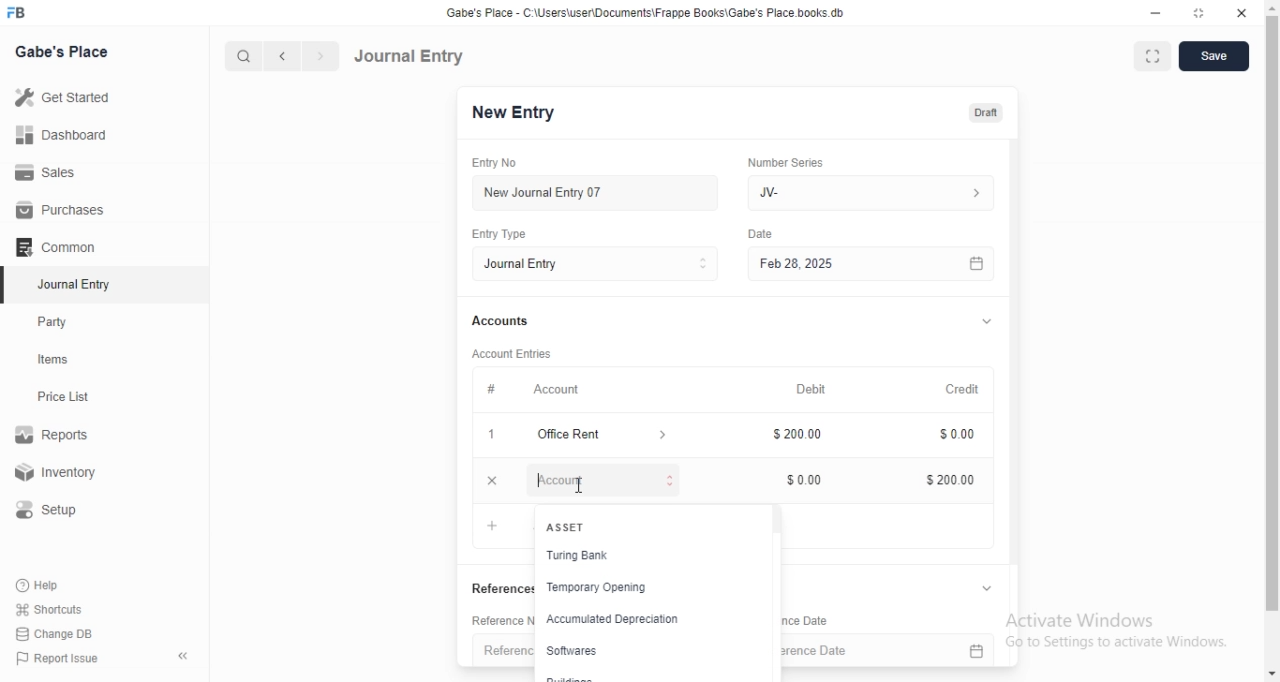 Image resolution: width=1280 pixels, height=682 pixels. What do you see at coordinates (64, 51) in the screenshot?
I see `Gabe's Place` at bounding box center [64, 51].